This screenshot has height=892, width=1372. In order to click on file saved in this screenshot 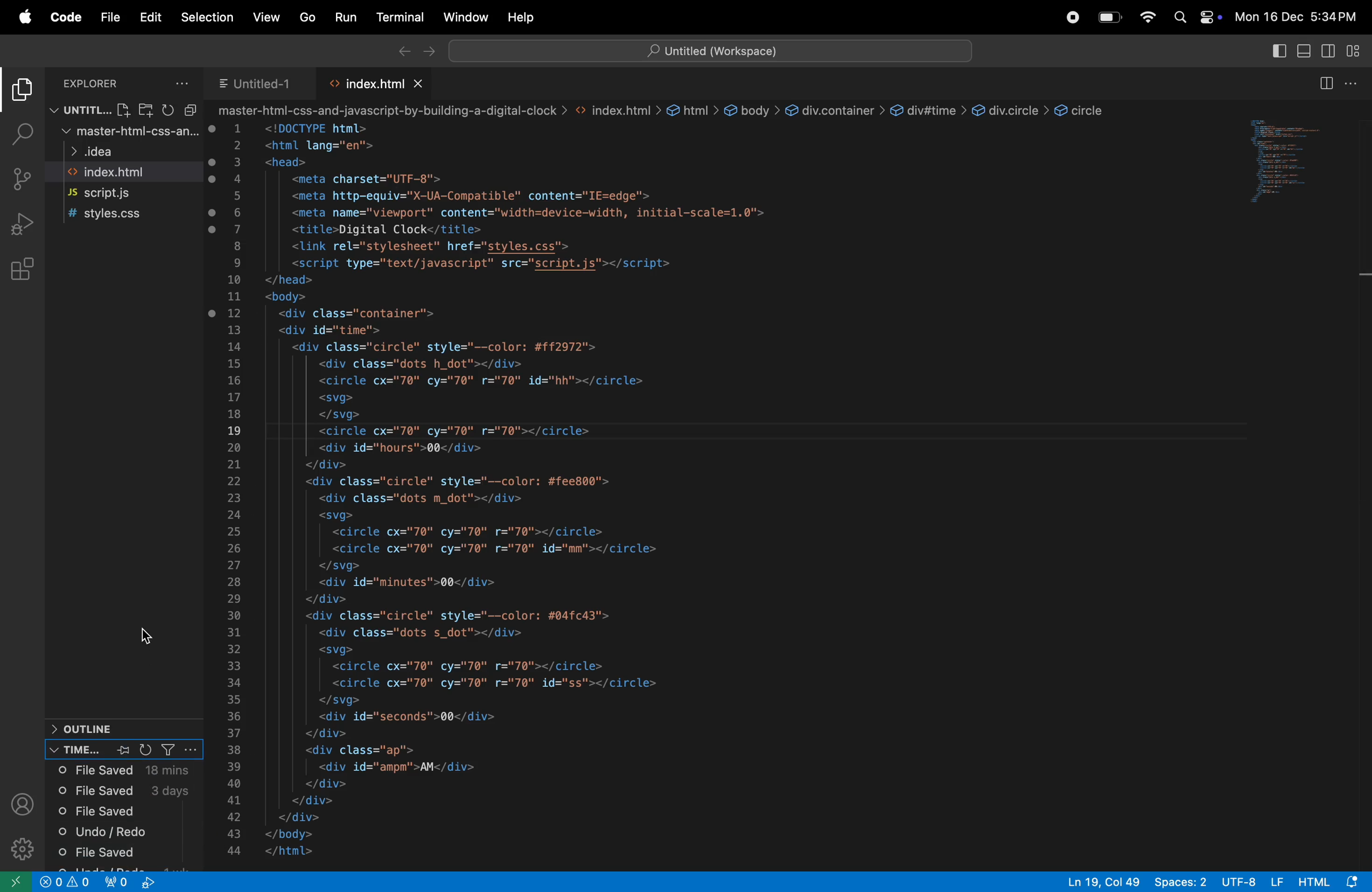, I will do `click(129, 812)`.